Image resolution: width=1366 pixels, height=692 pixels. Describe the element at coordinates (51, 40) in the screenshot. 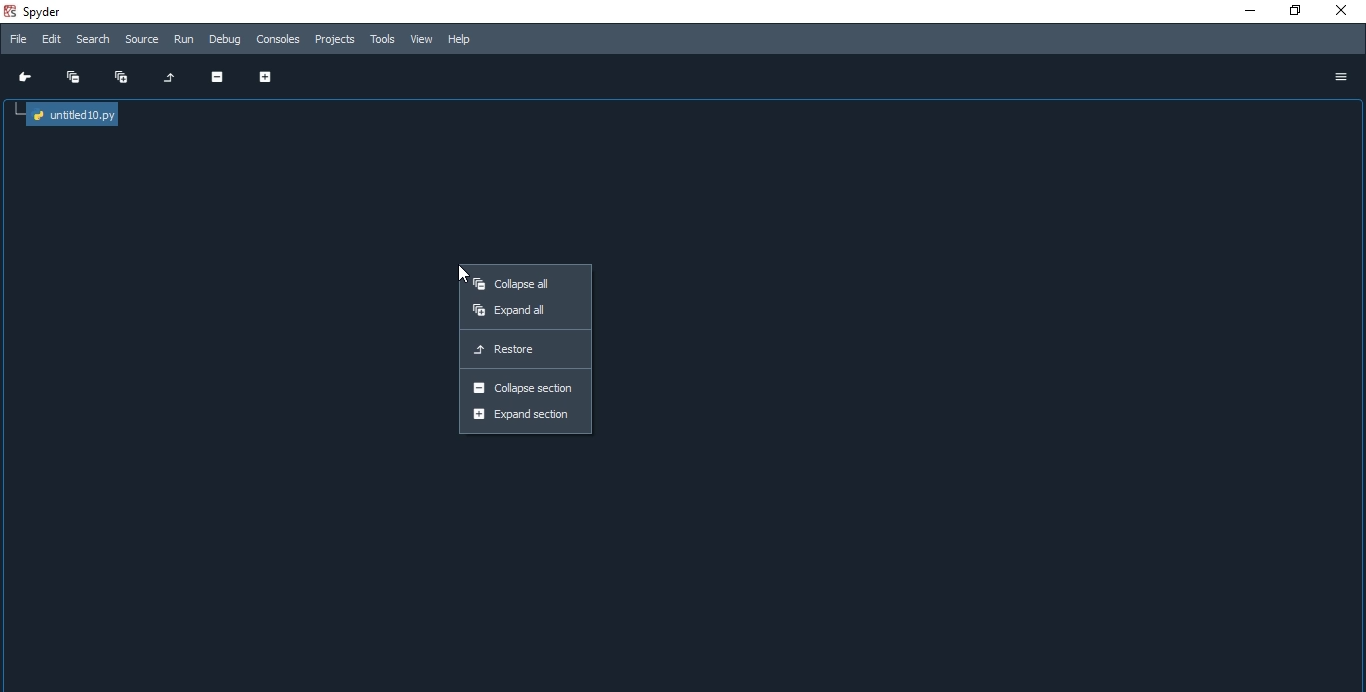

I see `Edit` at that location.